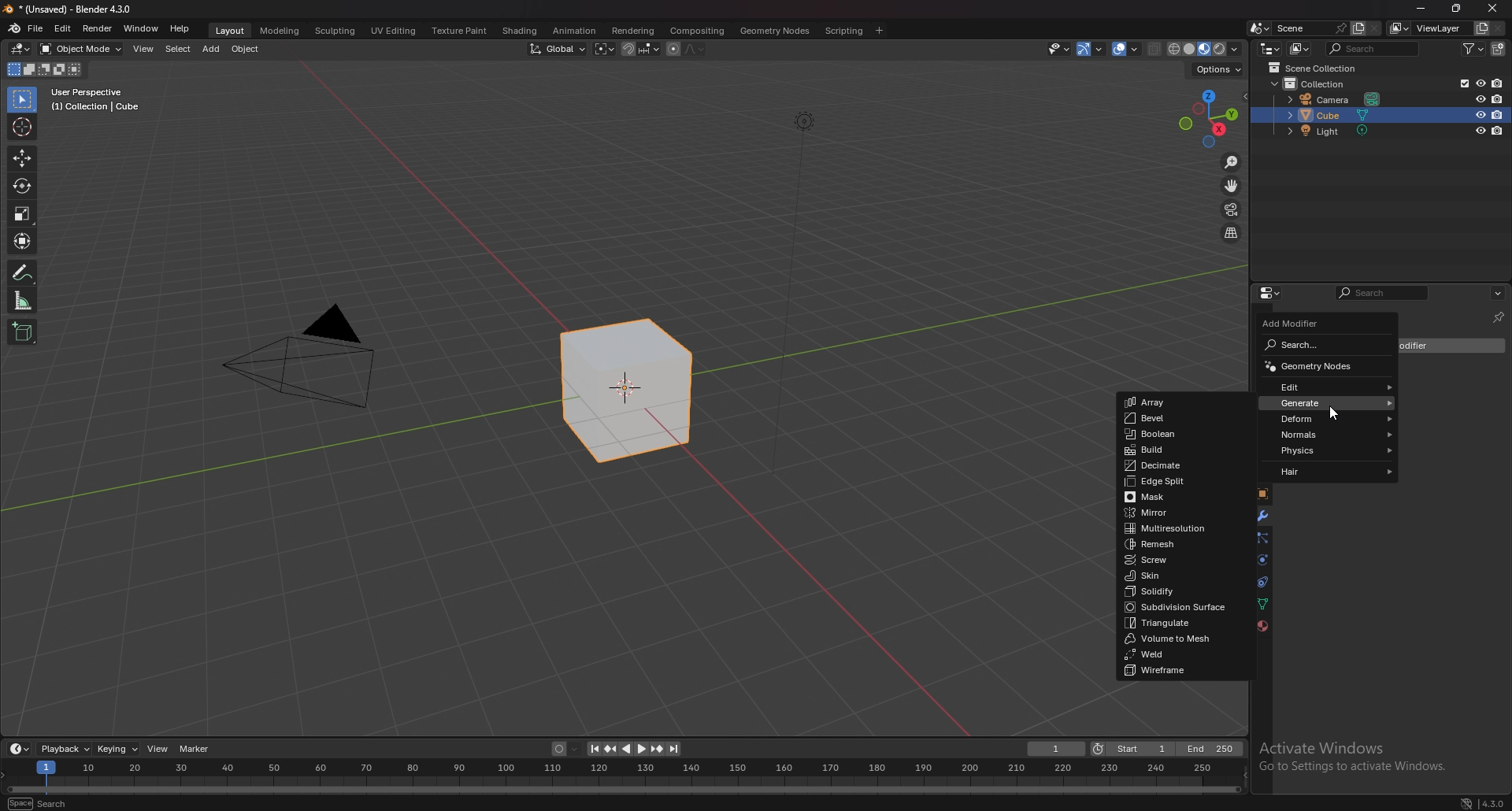 This screenshot has height=811, width=1512. Describe the element at coordinates (1181, 513) in the screenshot. I see `mirror` at that location.